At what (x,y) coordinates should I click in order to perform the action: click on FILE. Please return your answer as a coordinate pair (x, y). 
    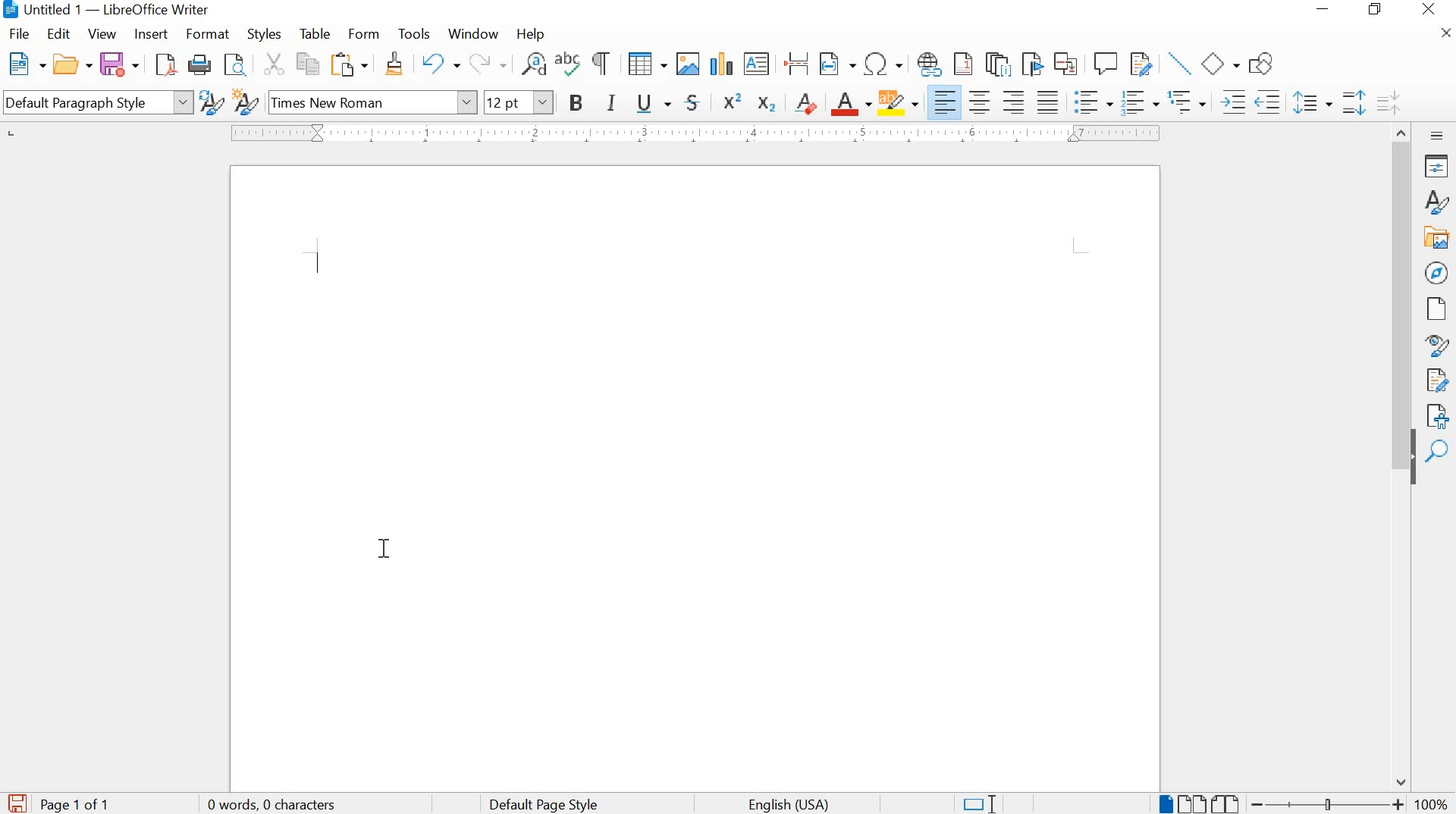
    Looking at the image, I should click on (21, 34).